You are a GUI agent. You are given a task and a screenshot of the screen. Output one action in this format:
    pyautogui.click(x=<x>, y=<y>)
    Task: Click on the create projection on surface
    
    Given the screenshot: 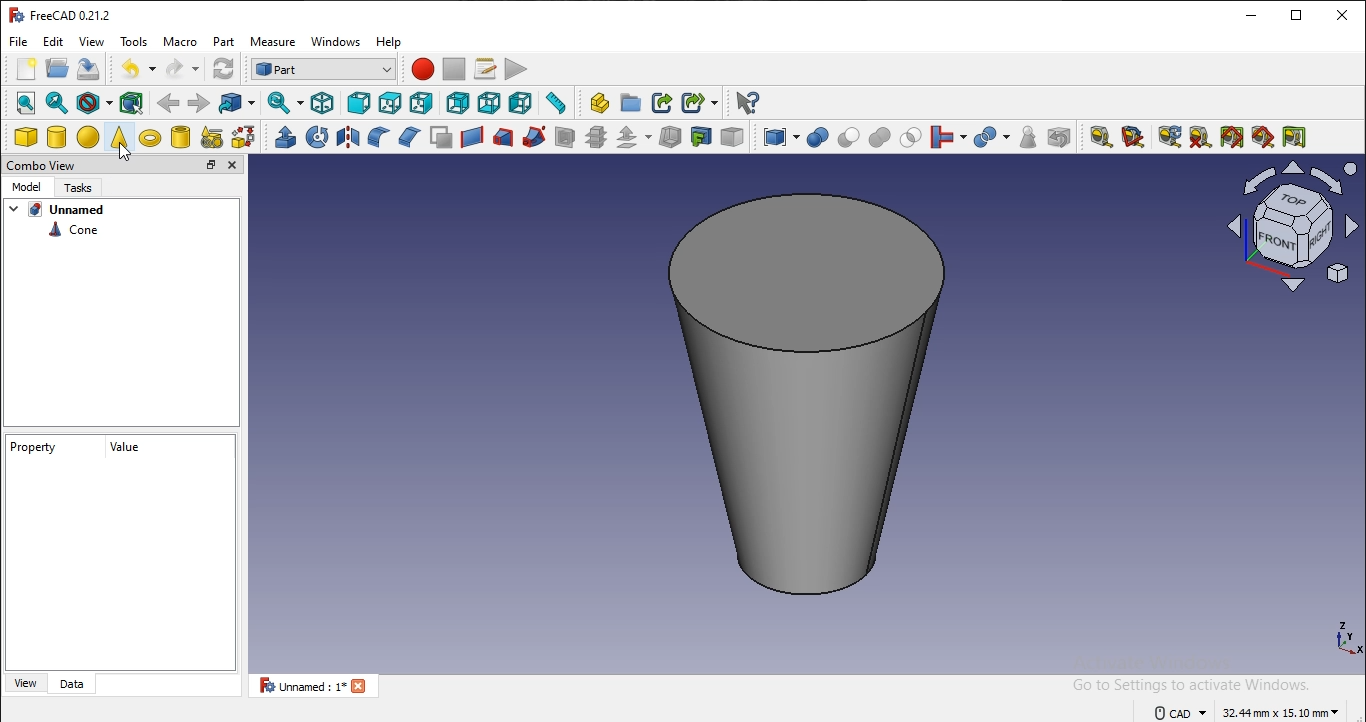 What is the action you would take?
    pyautogui.click(x=701, y=136)
    